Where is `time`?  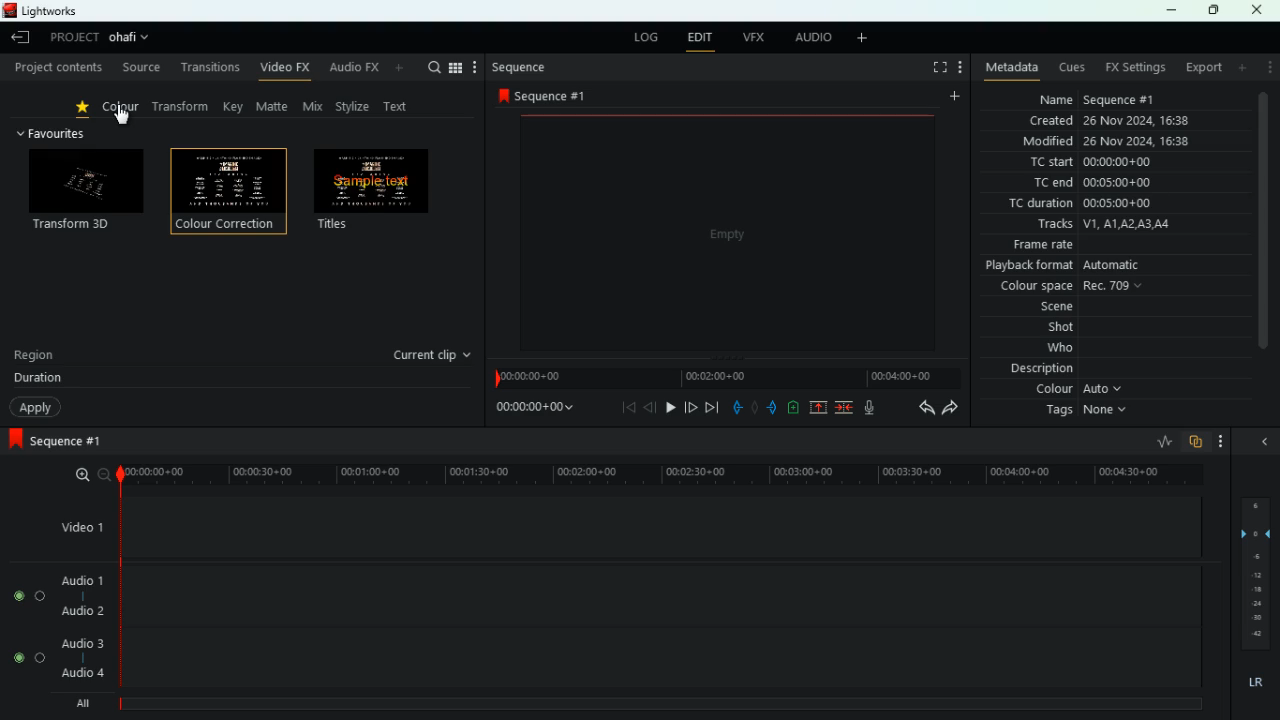 time is located at coordinates (653, 471).